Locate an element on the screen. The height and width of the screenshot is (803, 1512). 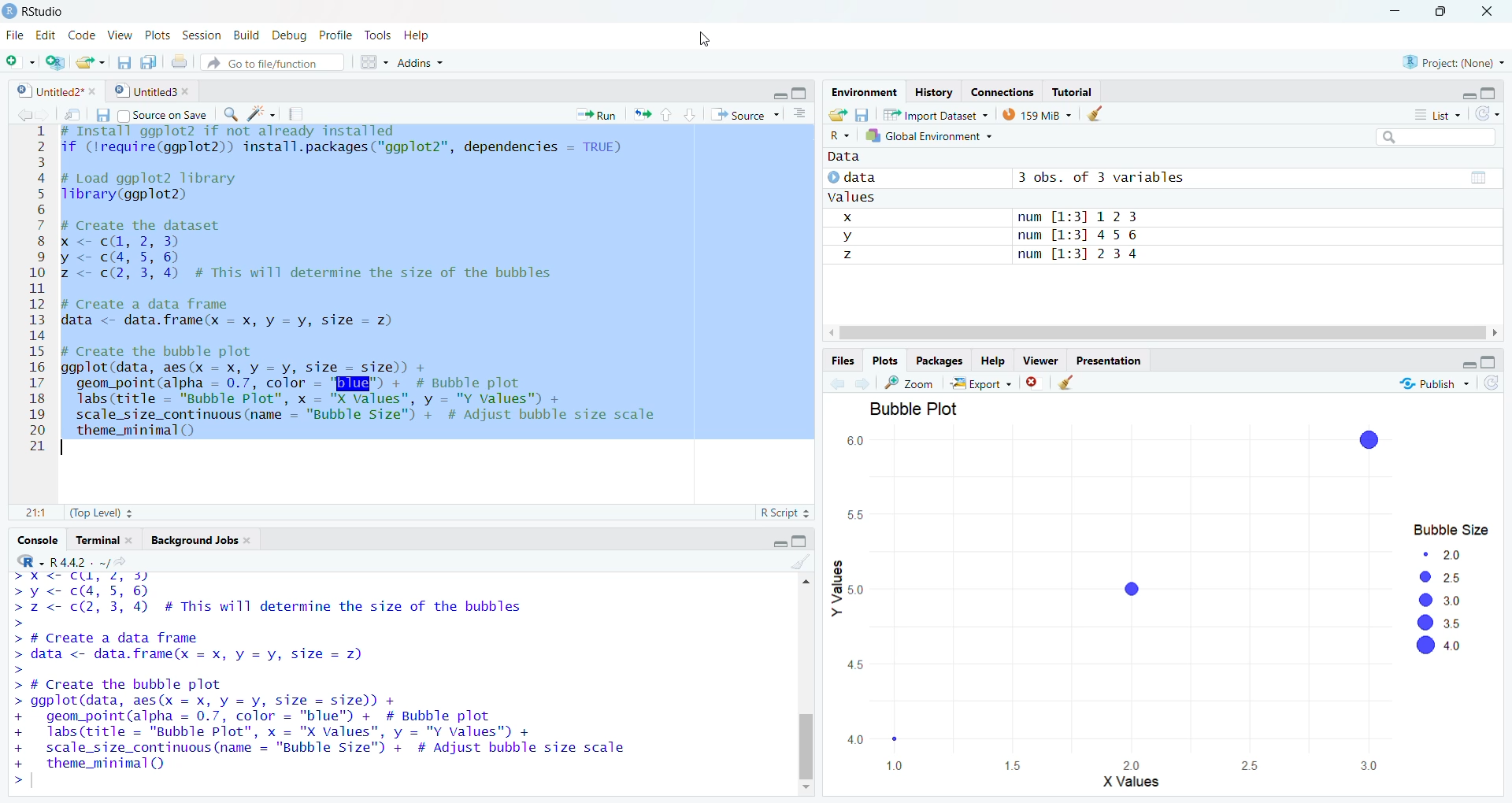
 project: (None)  is located at coordinates (1457, 61).